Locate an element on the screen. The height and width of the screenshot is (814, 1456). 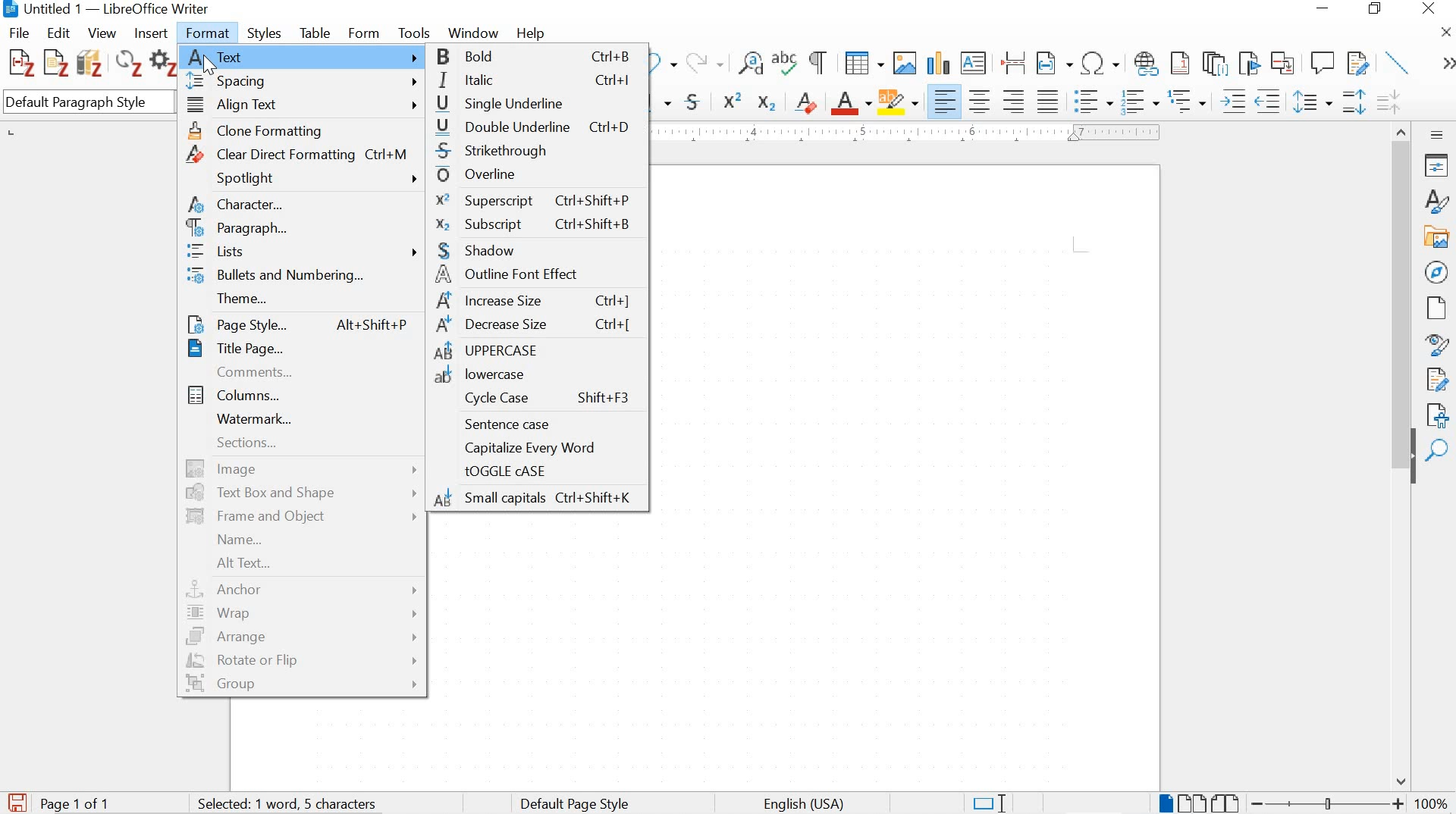
multiple page view is located at coordinates (1191, 803).